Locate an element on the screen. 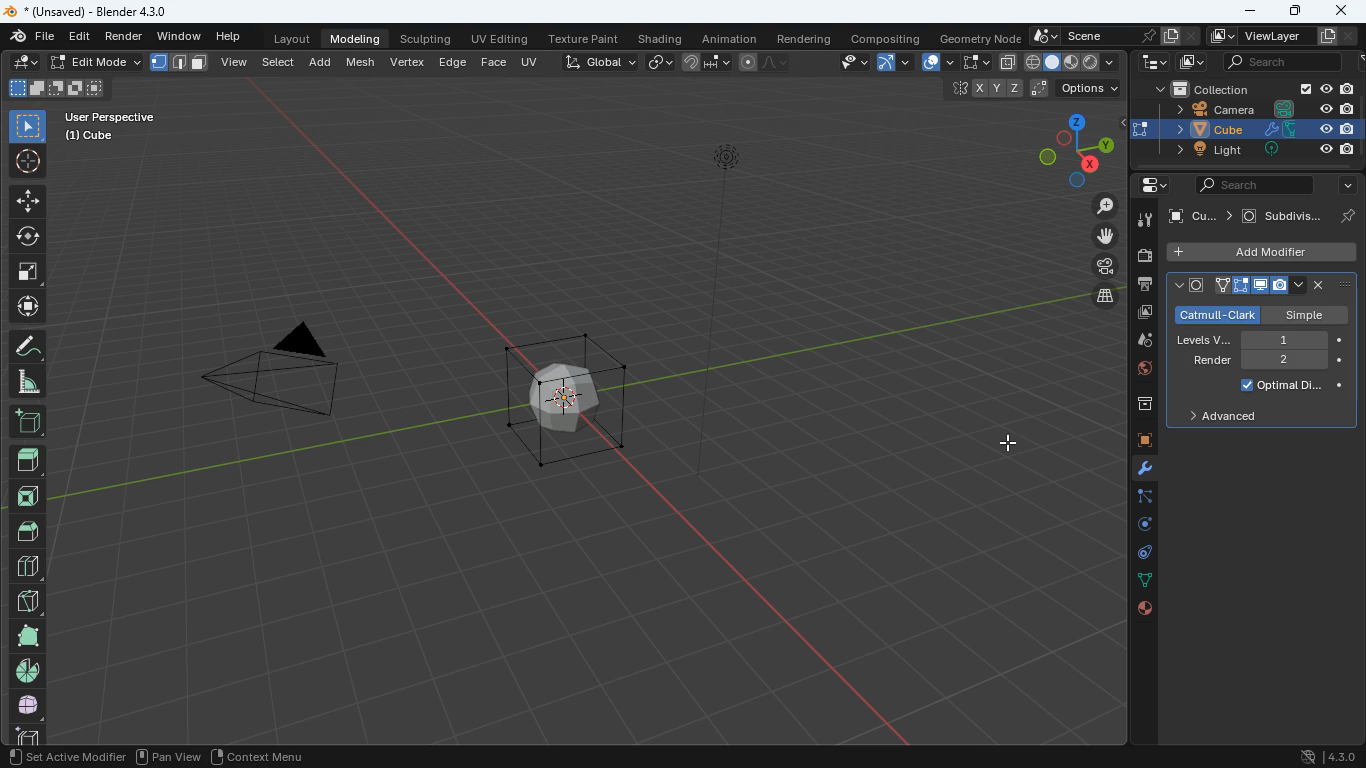 The width and height of the screenshot is (1366, 768). rotation is located at coordinates (1140, 525).